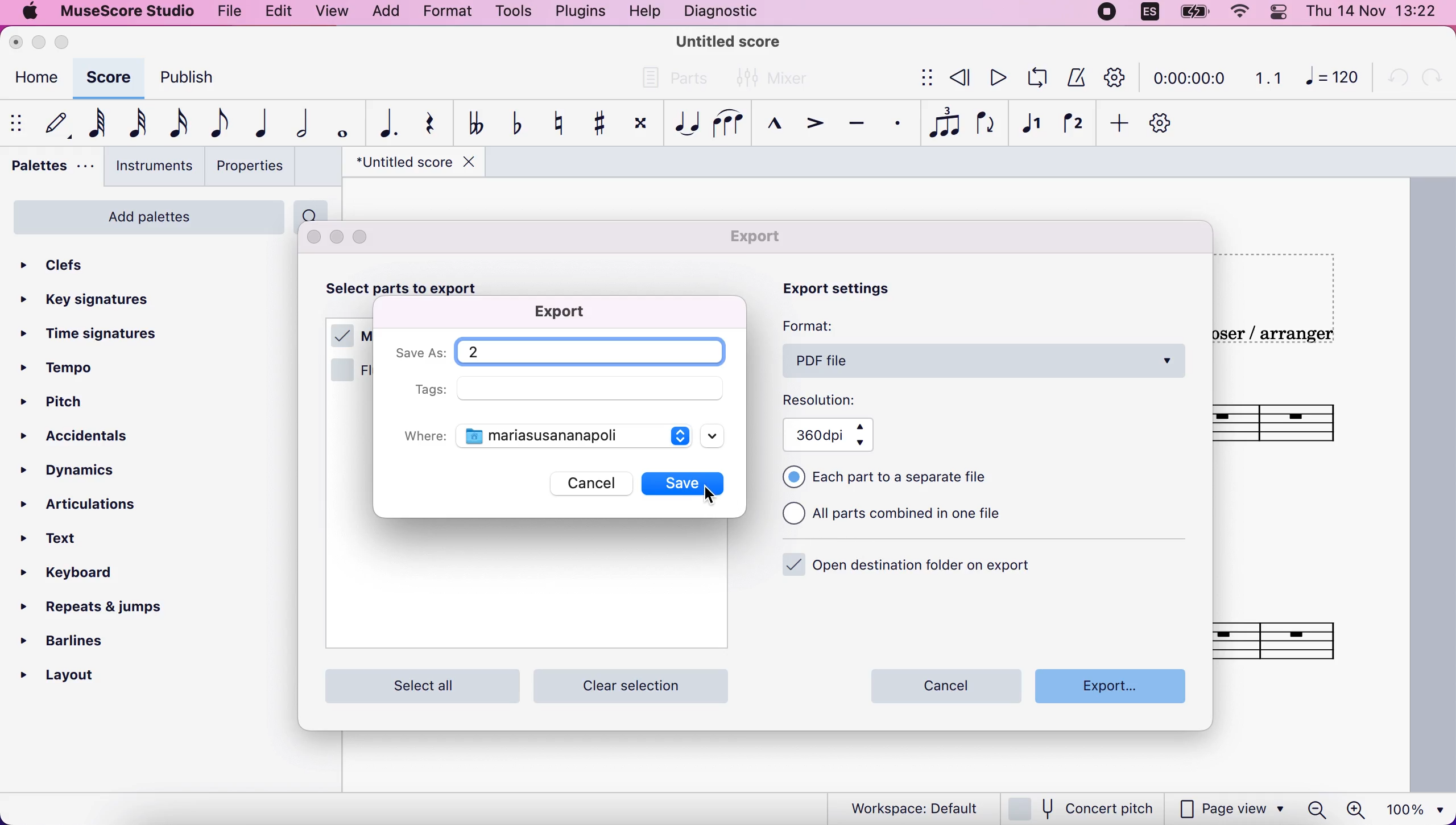  Describe the element at coordinates (766, 237) in the screenshot. I see `export` at that location.